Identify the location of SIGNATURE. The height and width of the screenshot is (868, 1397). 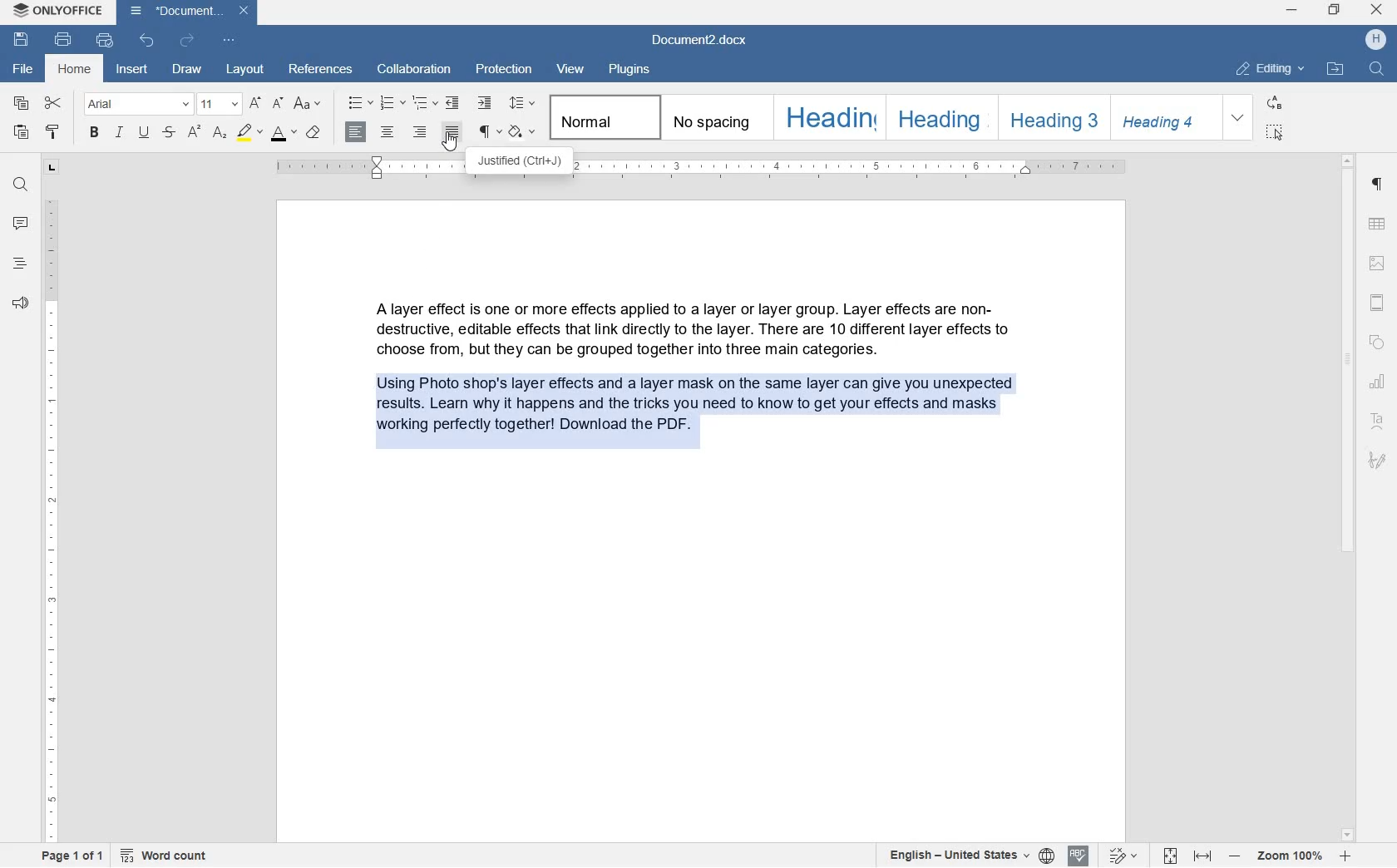
(1379, 457).